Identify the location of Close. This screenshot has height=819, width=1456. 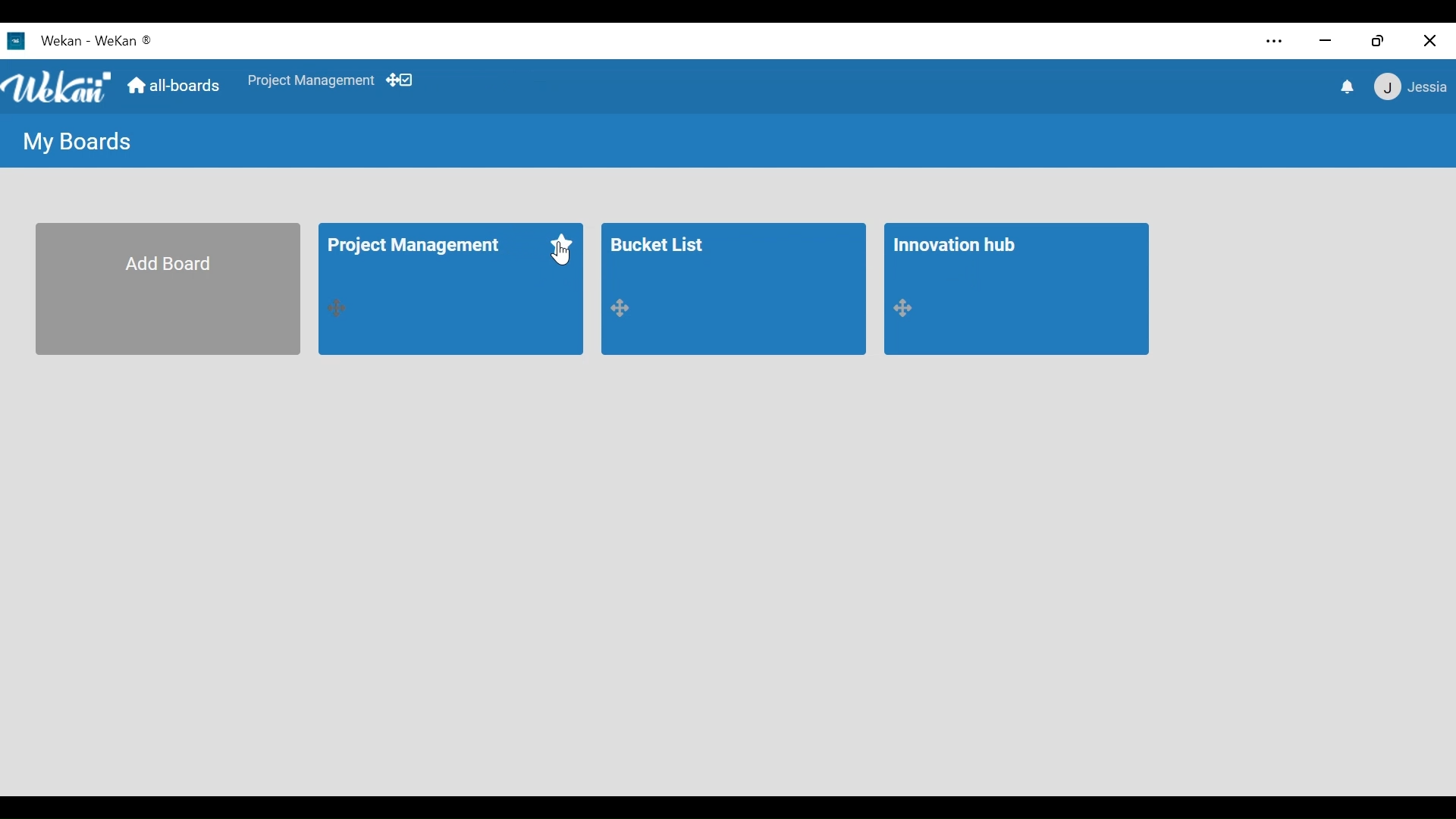
(1428, 41).